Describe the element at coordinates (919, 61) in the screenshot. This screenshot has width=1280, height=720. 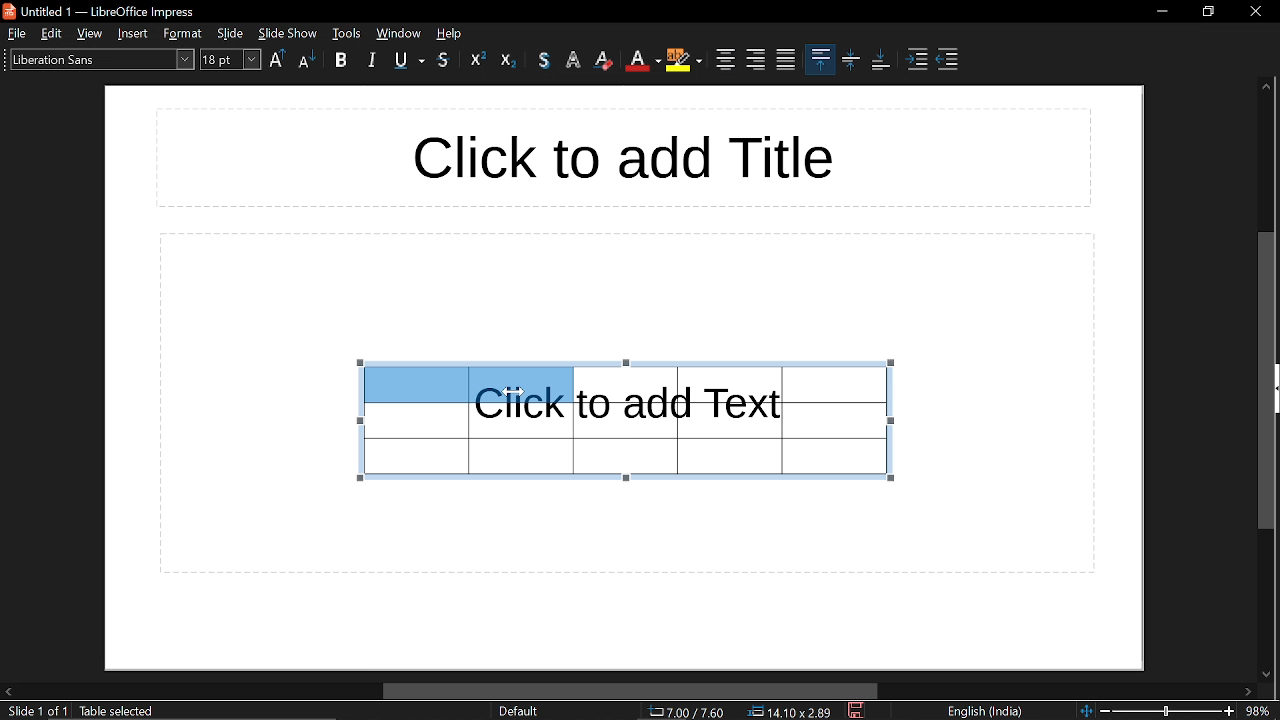
I see `Increase indent ` at that location.